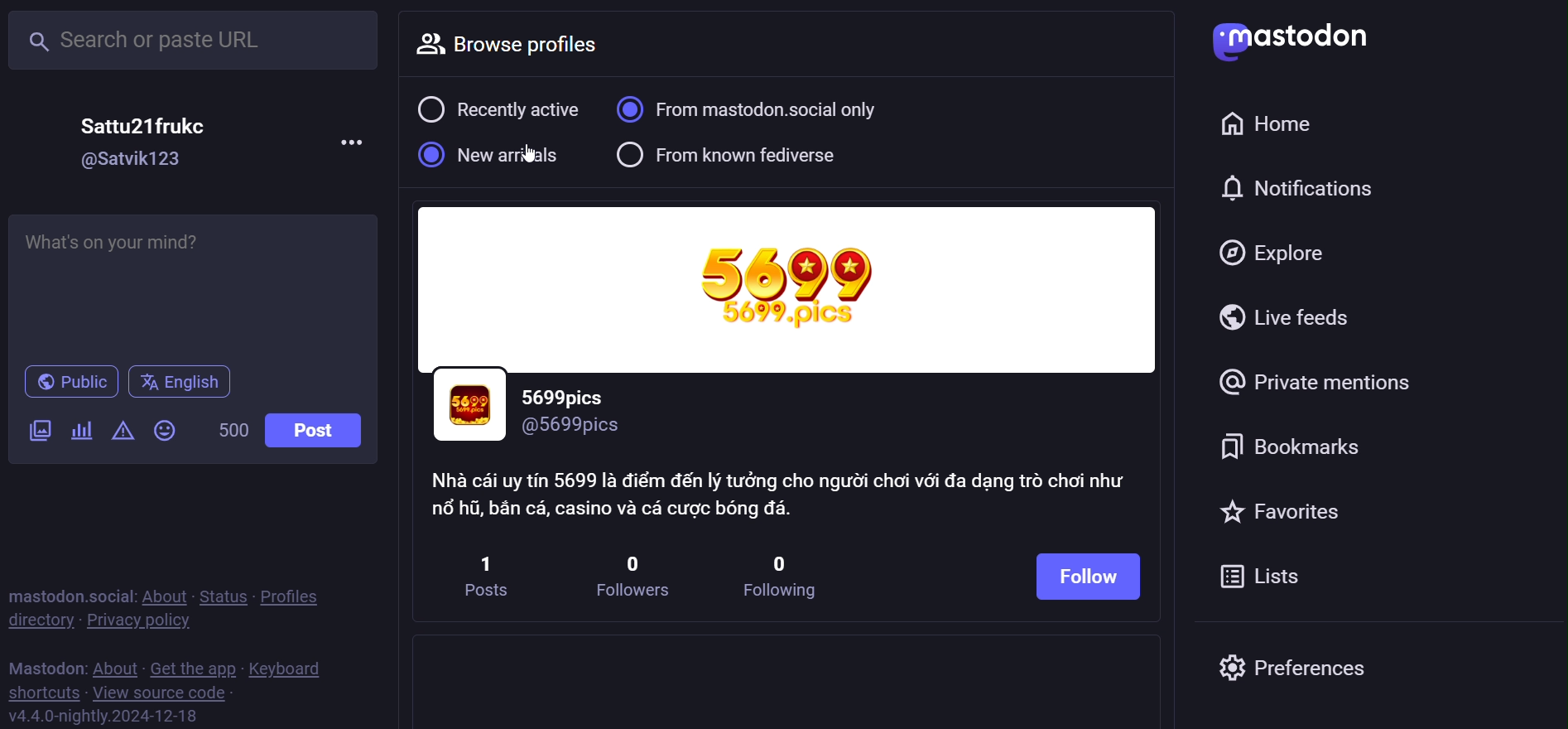  I want to click on profile picture, so click(468, 406).